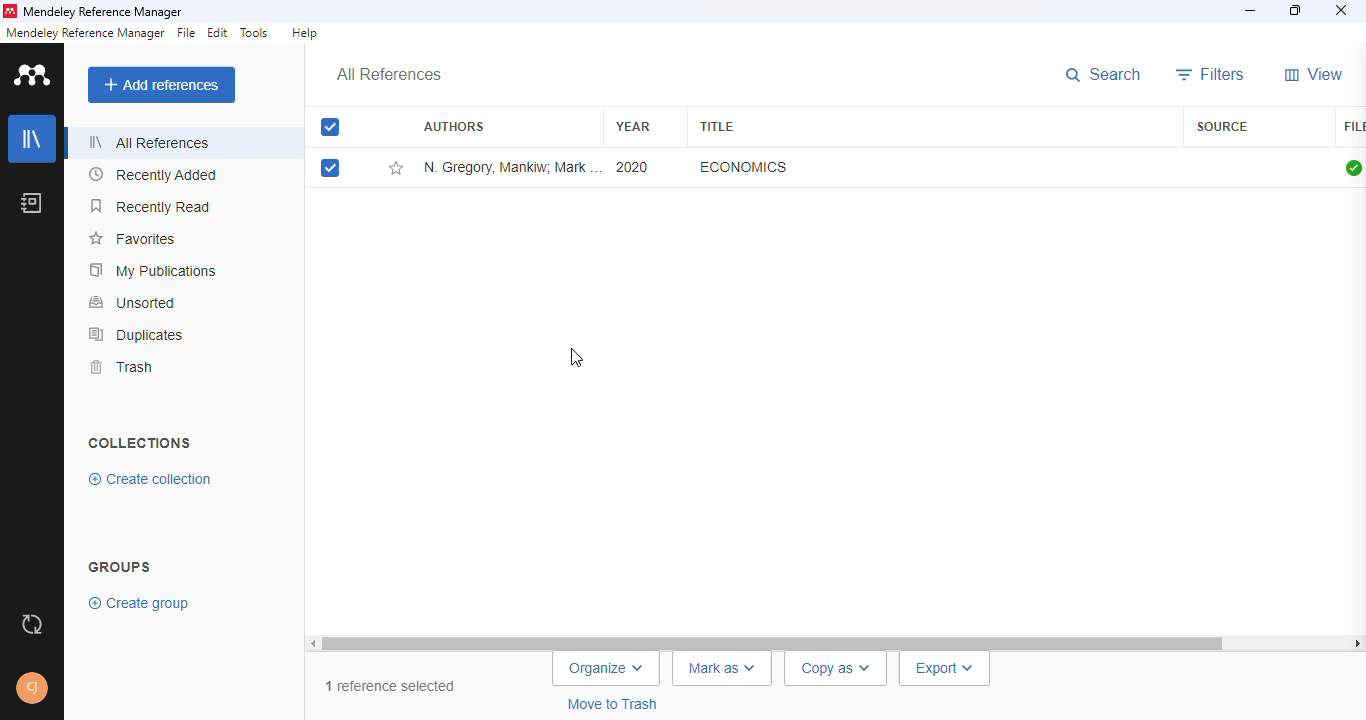 Image resolution: width=1366 pixels, height=720 pixels. I want to click on create collection, so click(151, 479).